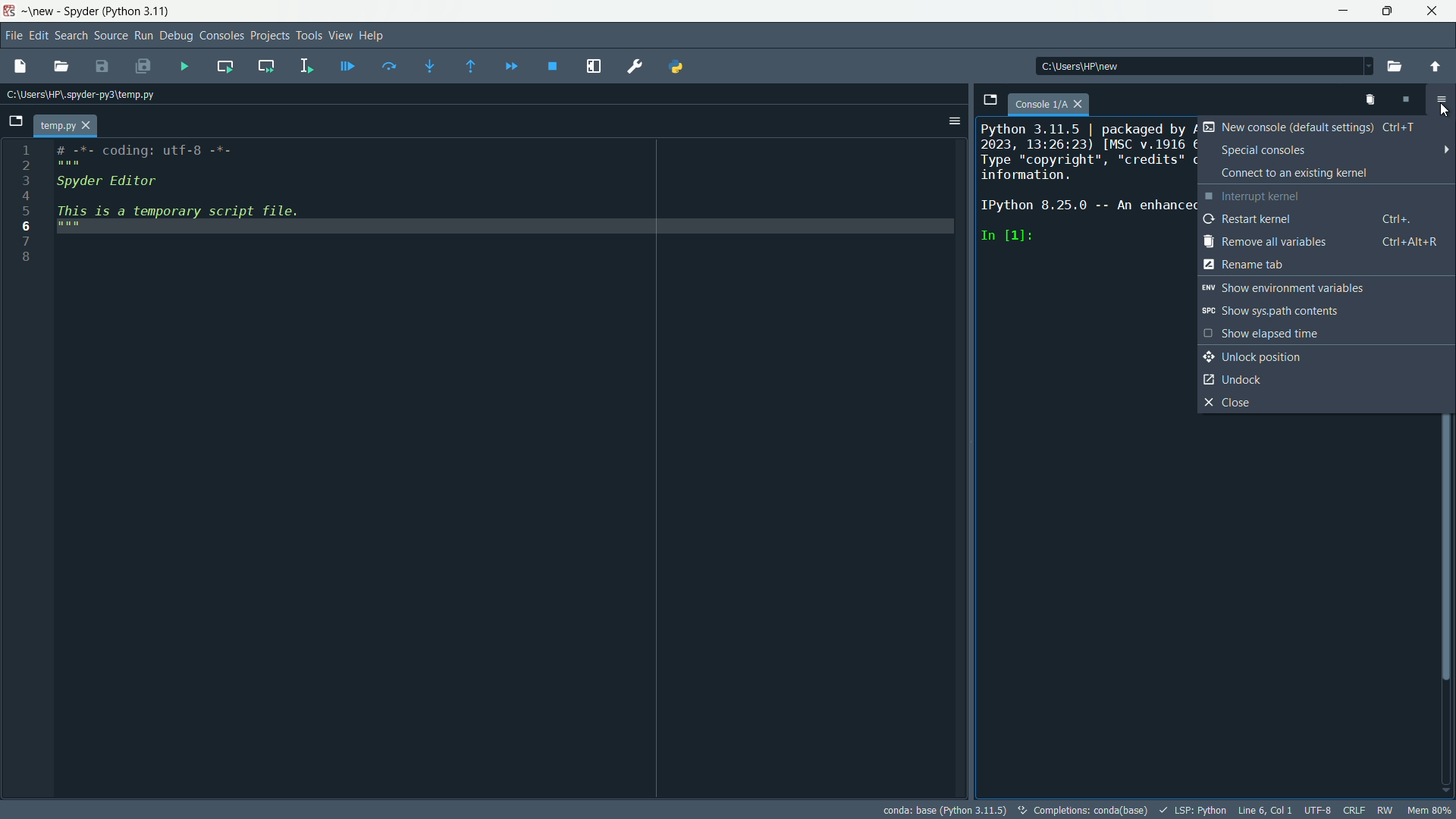 This screenshot has width=1456, height=819. What do you see at coordinates (1387, 11) in the screenshot?
I see `restore` at bounding box center [1387, 11].